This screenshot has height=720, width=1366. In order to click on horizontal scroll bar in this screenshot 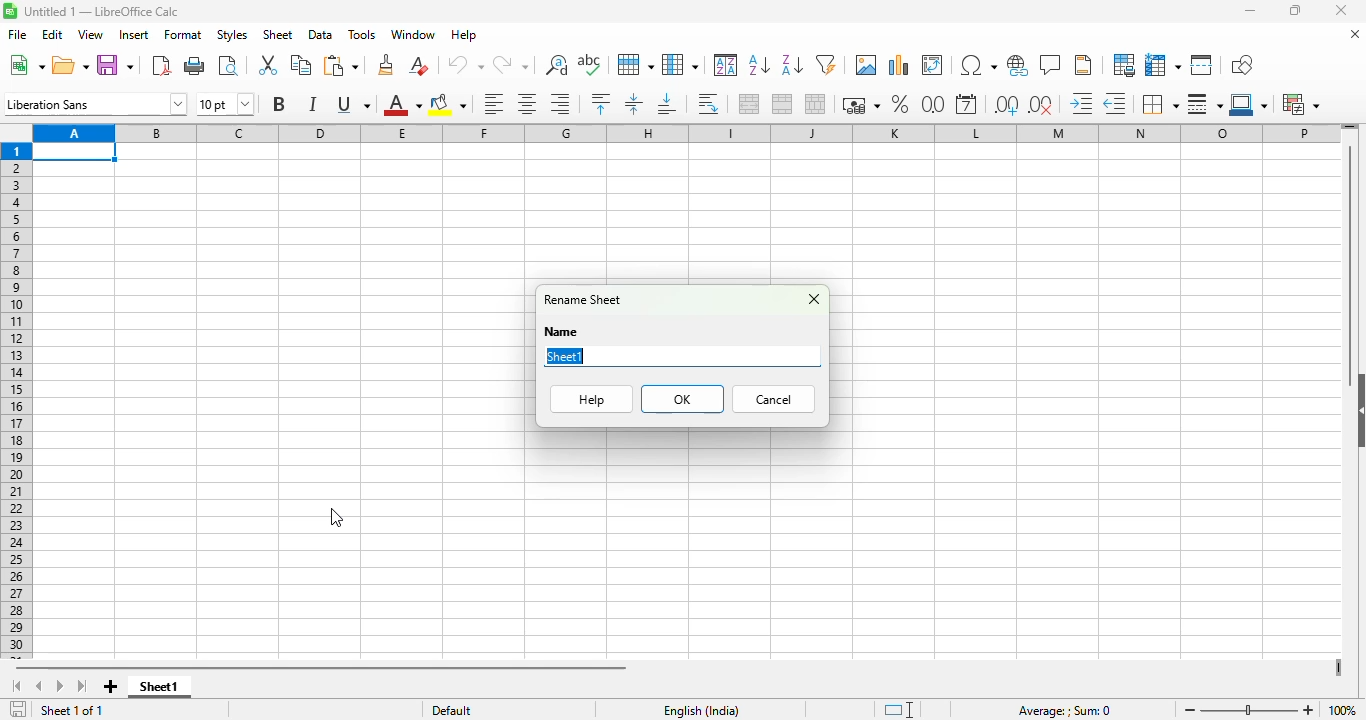, I will do `click(323, 668)`.